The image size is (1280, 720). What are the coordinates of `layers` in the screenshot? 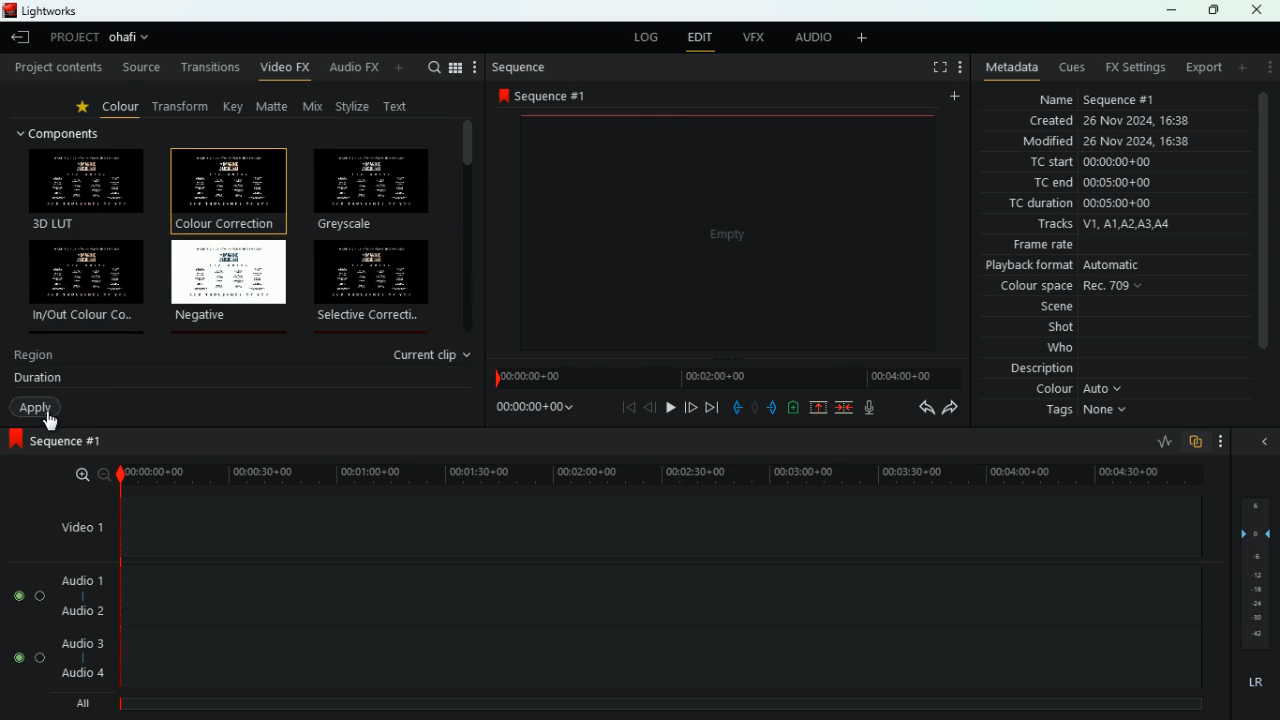 It's located at (1254, 575).